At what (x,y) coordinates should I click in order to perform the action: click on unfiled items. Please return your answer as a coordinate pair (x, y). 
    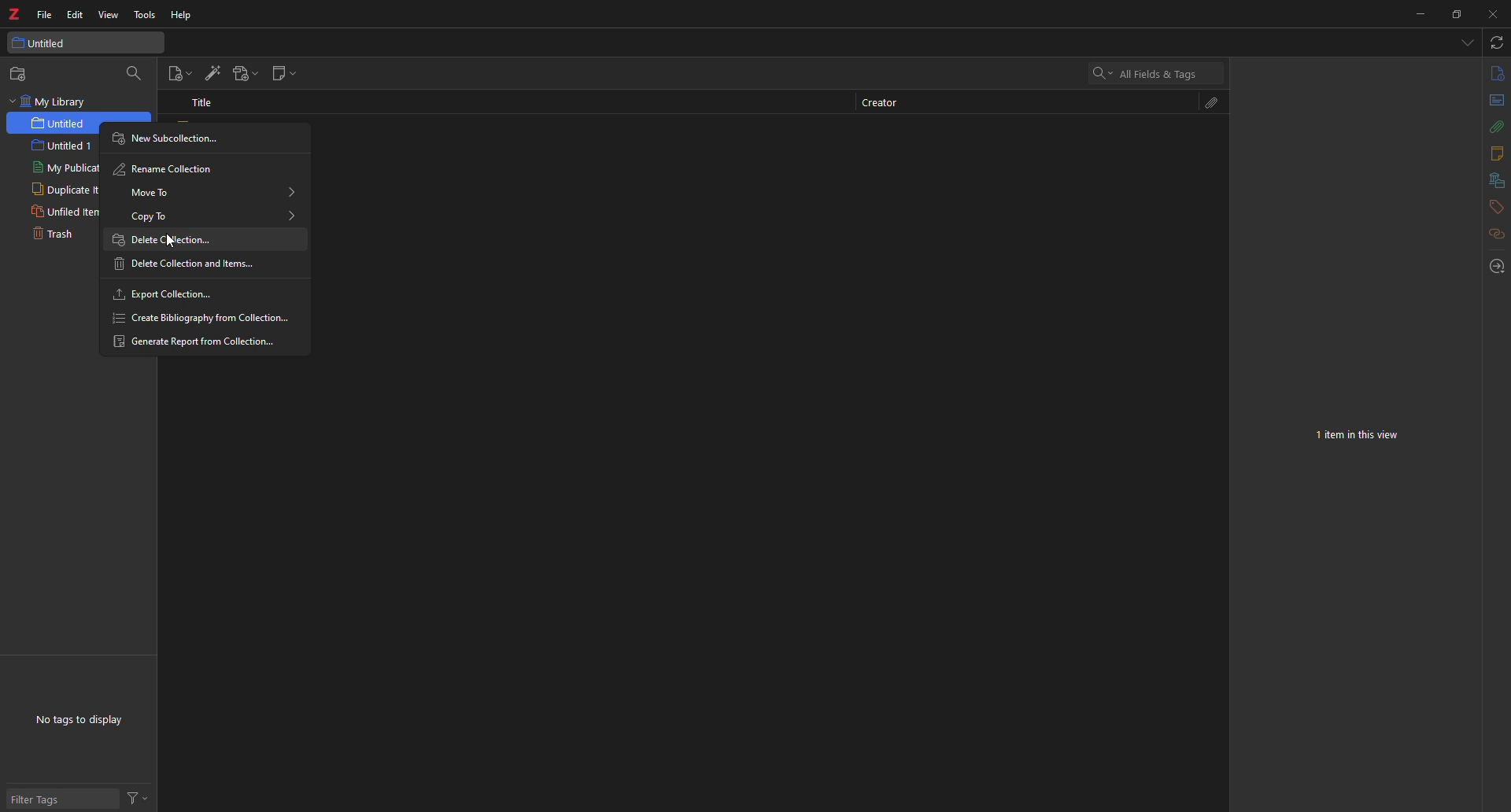
    Looking at the image, I should click on (64, 213).